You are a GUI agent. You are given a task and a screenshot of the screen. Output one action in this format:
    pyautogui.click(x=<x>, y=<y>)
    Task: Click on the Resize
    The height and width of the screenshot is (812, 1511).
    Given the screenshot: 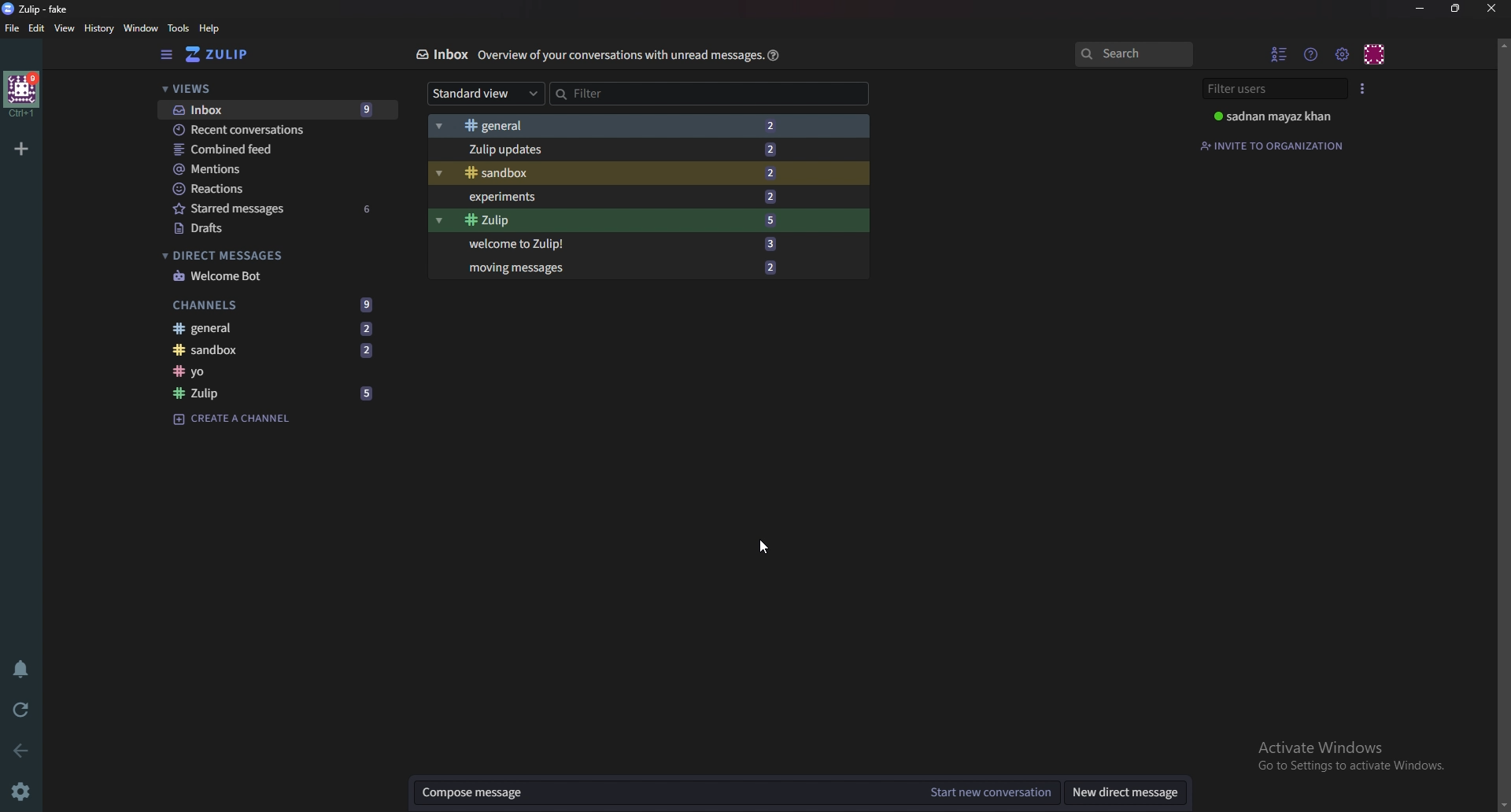 What is the action you would take?
    pyautogui.click(x=1457, y=9)
    